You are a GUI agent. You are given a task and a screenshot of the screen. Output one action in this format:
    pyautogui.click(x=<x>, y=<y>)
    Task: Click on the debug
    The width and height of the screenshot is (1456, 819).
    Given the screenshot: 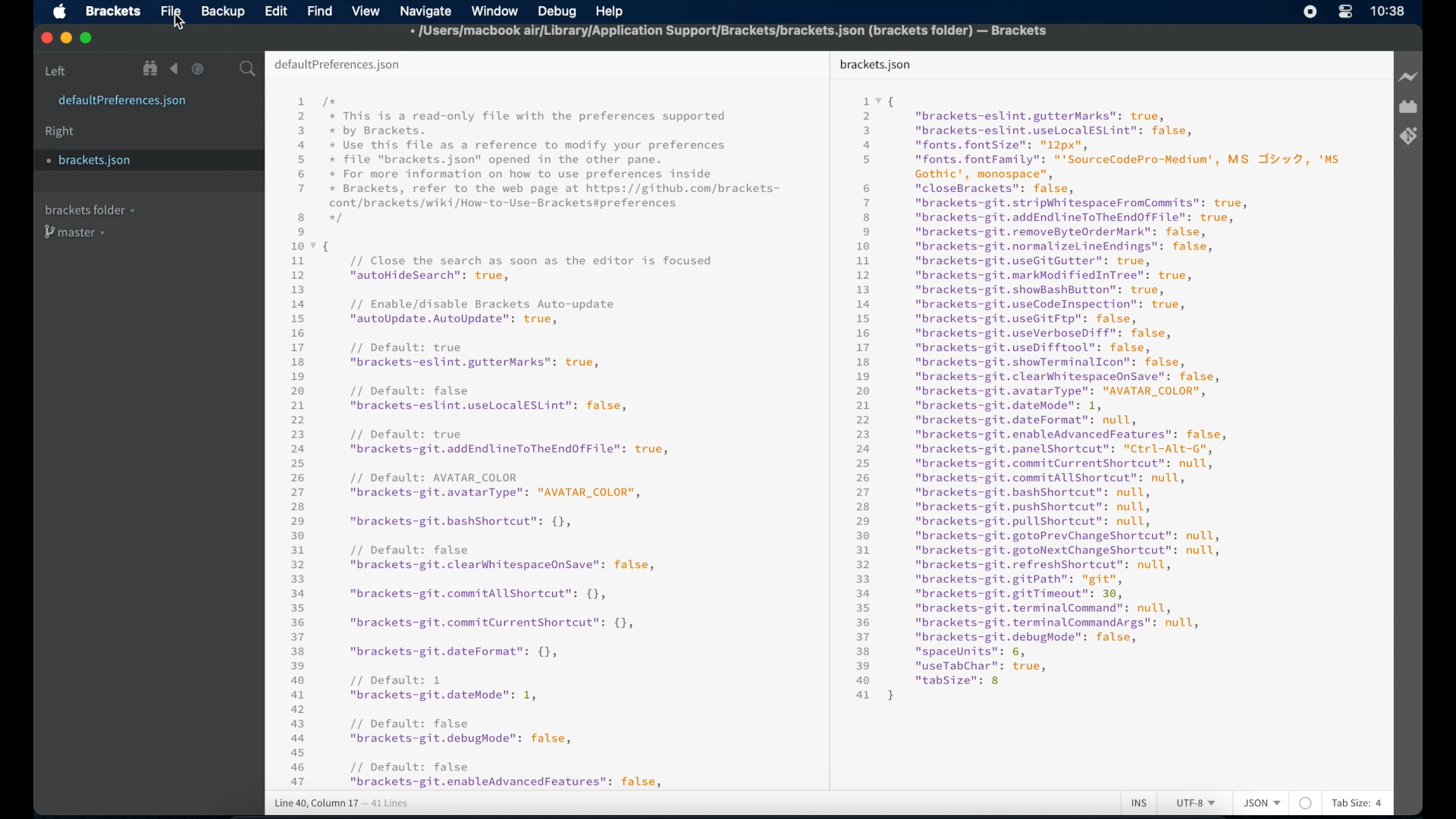 What is the action you would take?
    pyautogui.click(x=557, y=11)
    